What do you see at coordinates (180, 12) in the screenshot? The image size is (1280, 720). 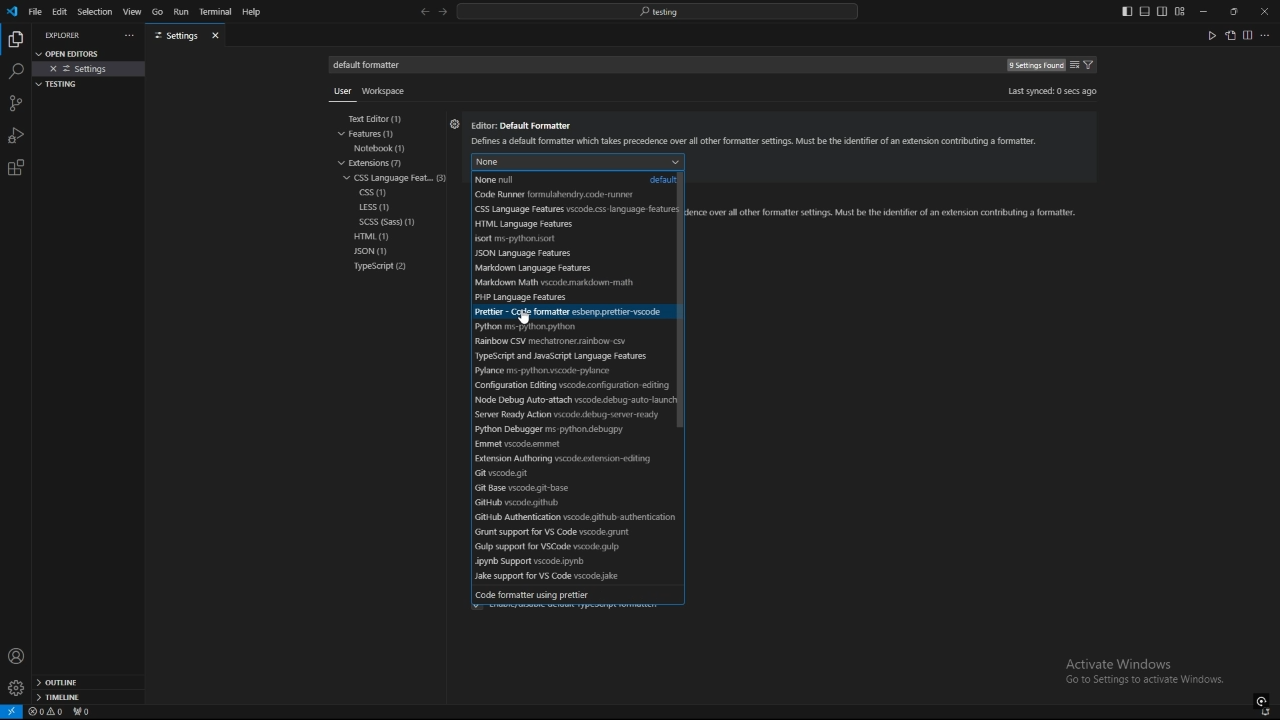 I see `run` at bounding box center [180, 12].